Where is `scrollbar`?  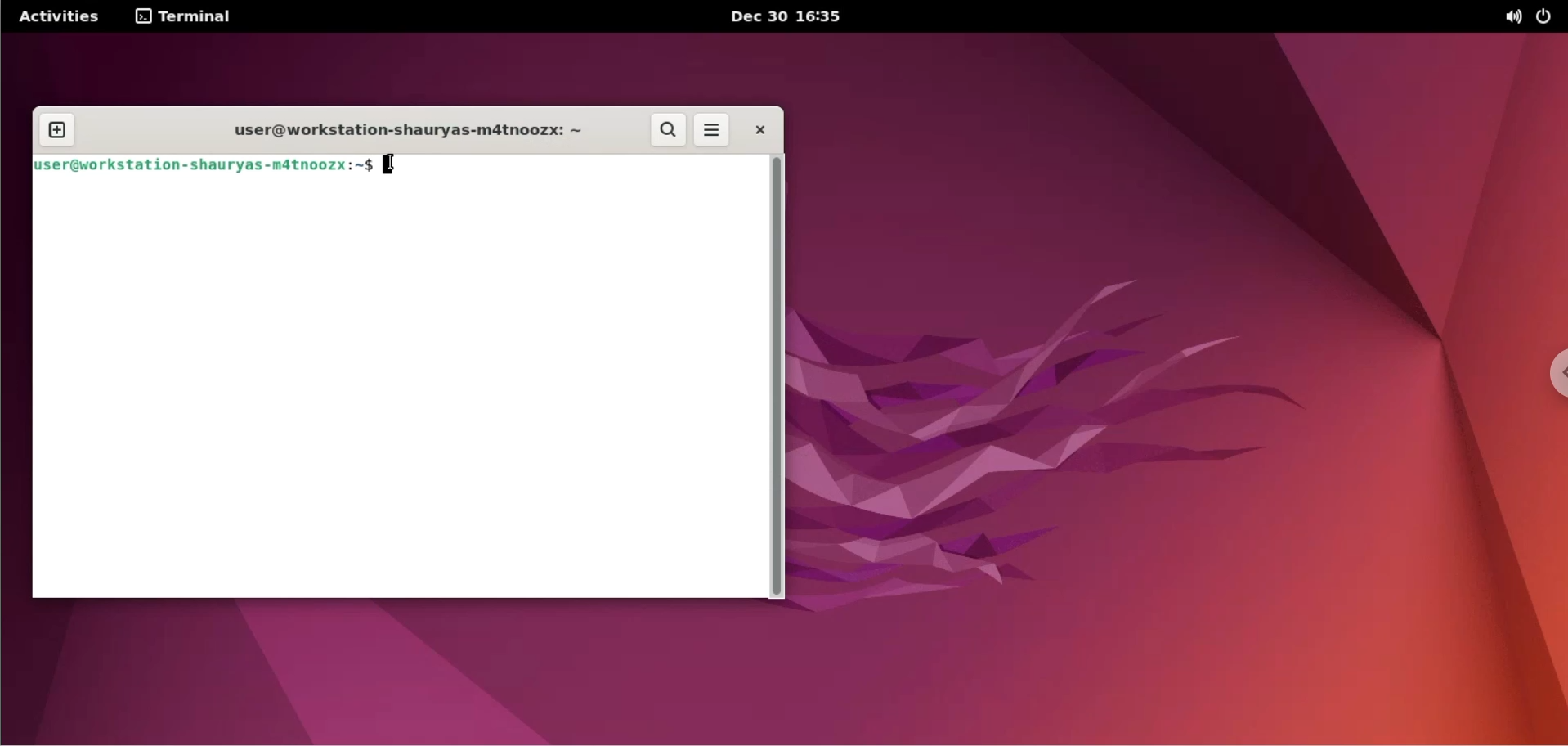
scrollbar is located at coordinates (781, 377).